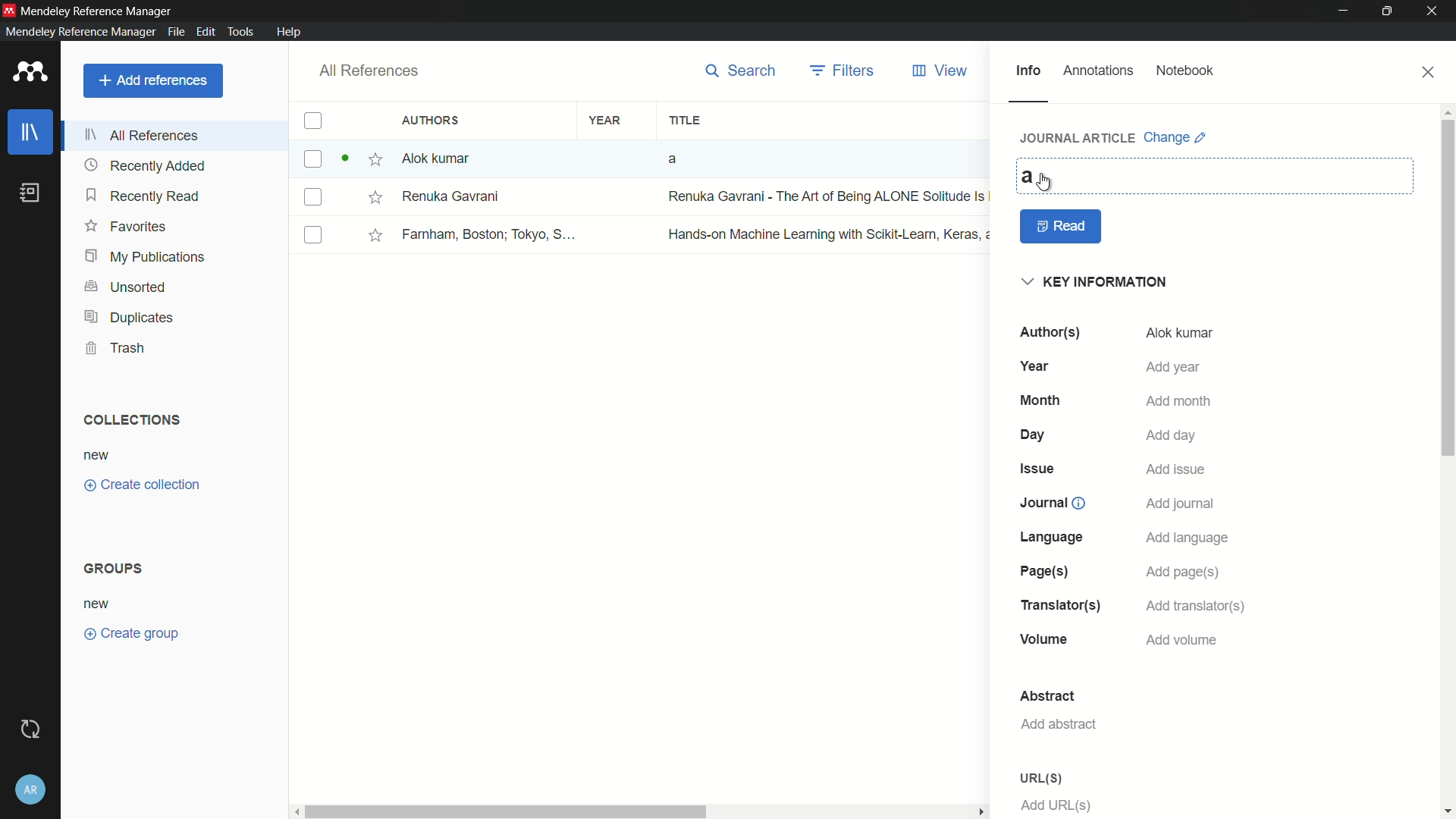 This screenshot has height=819, width=1456. I want to click on add page, so click(1181, 573).